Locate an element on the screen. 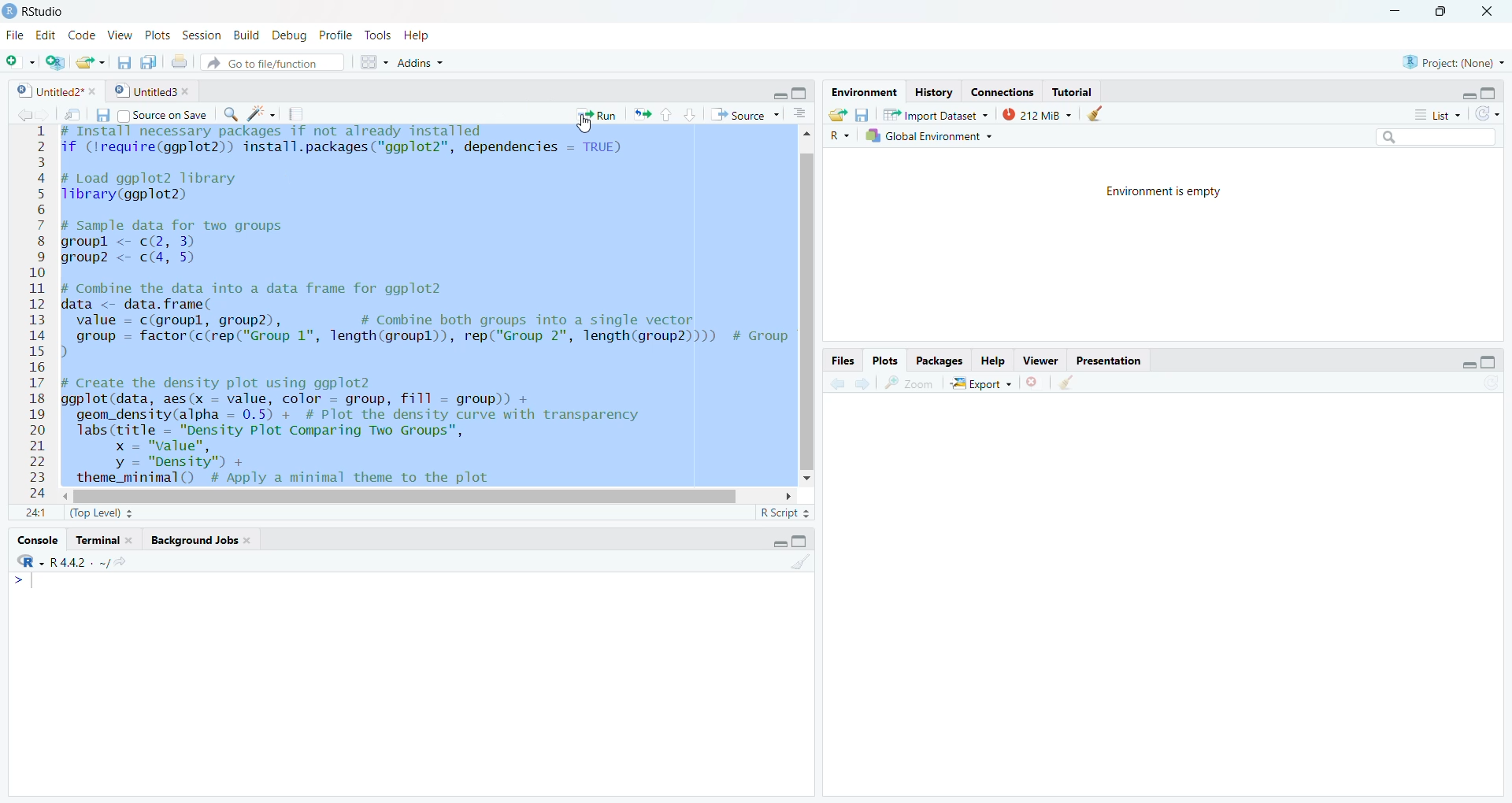 This screenshot has width=1512, height=803. FILES is located at coordinates (845, 359).